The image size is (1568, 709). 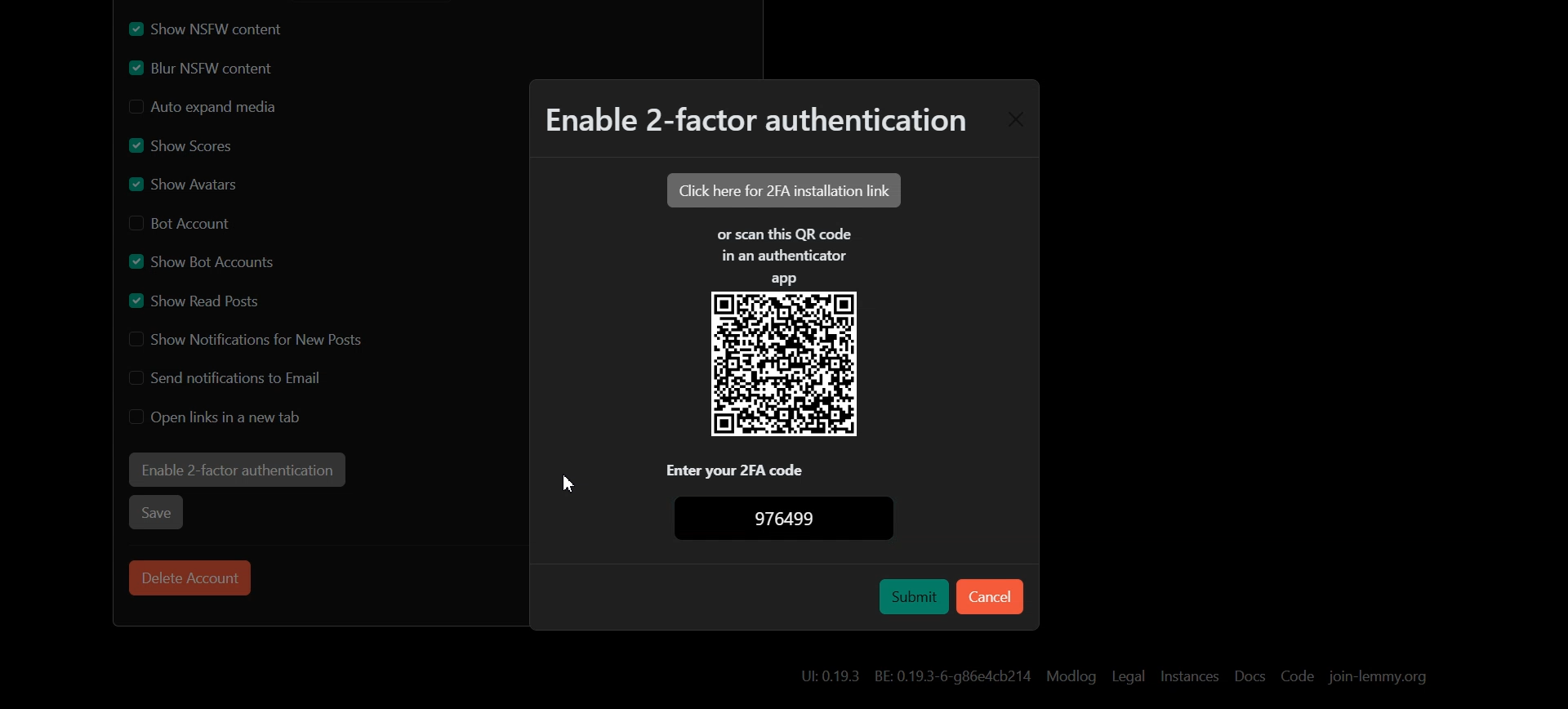 What do you see at coordinates (564, 484) in the screenshot?
I see `Cursor` at bounding box center [564, 484].